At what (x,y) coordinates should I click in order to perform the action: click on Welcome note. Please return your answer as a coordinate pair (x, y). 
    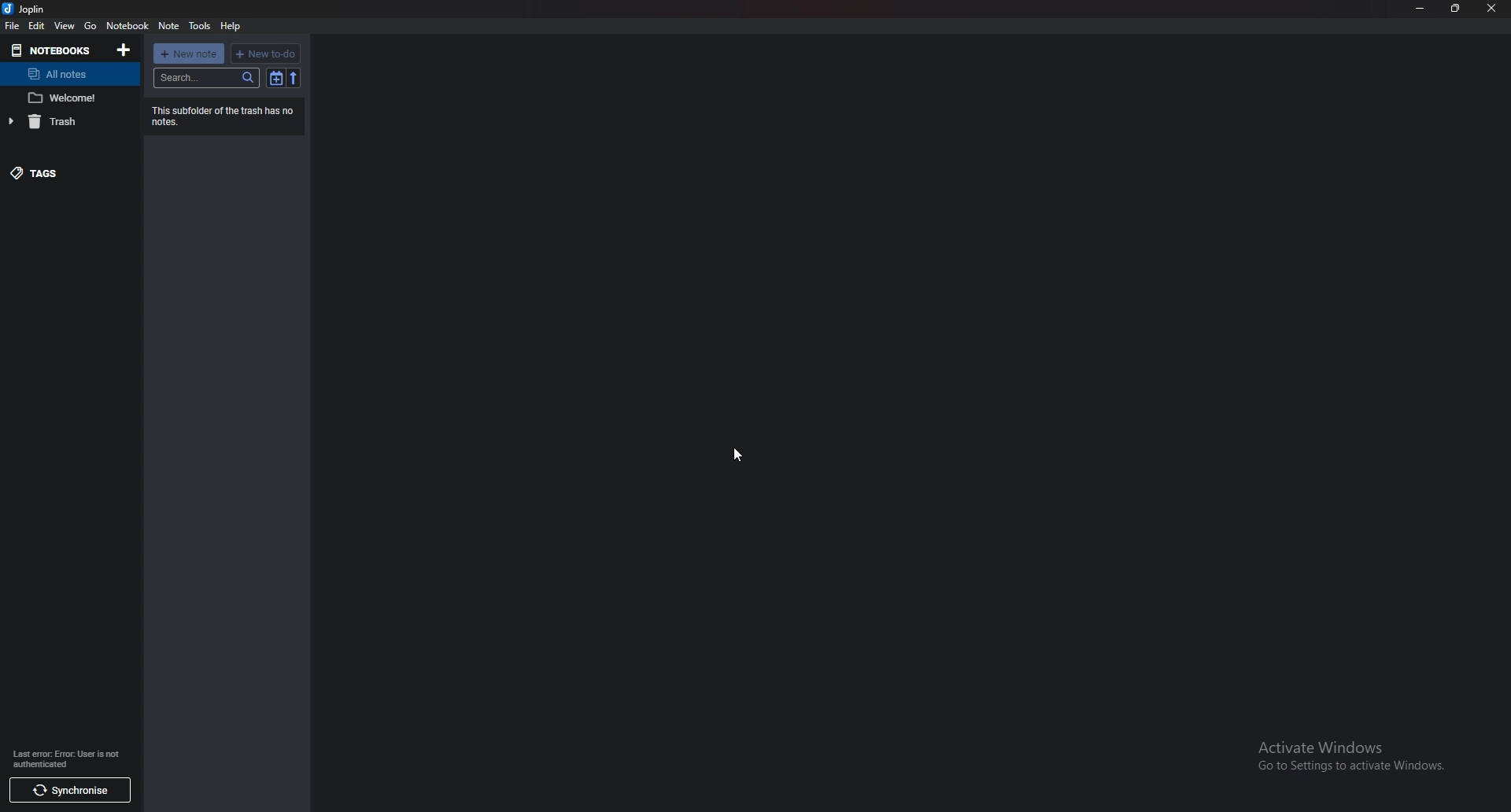
    Looking at the image, I should click on (67, 98).